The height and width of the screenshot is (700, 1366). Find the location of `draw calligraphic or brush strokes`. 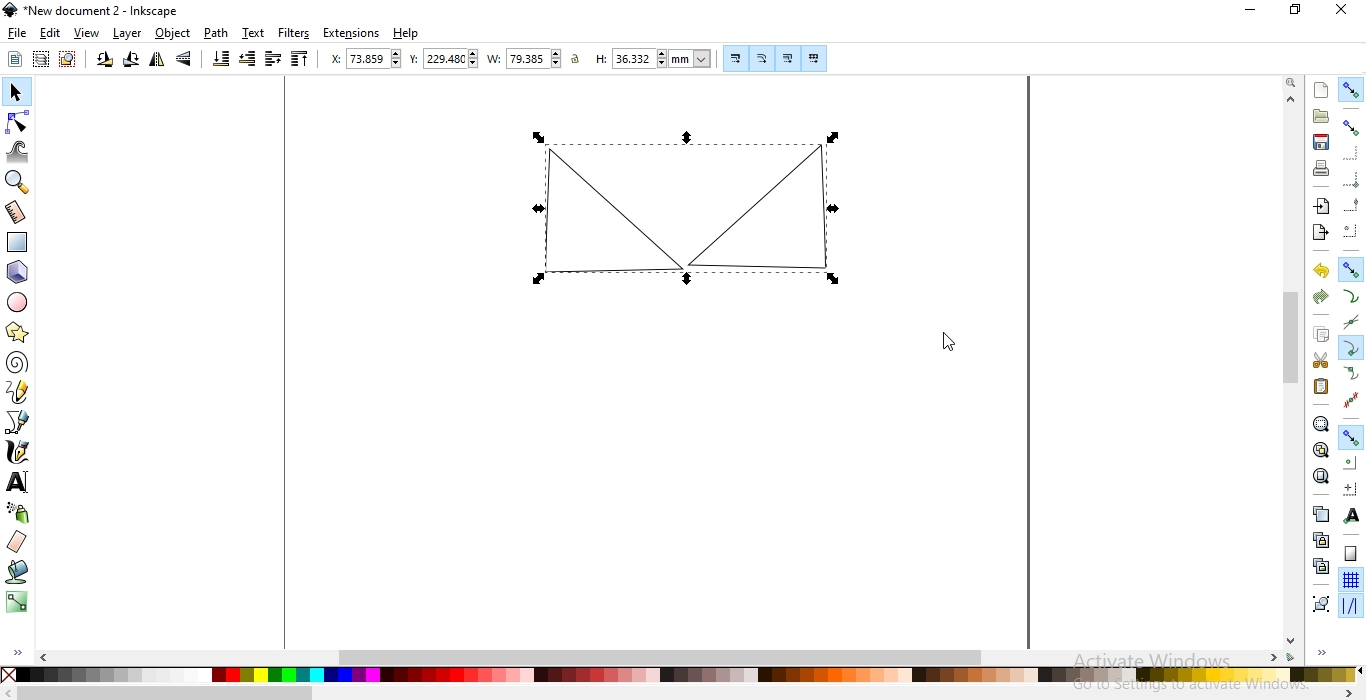

draw calligraphic or brush strokes is located at coordinates (18, 454).